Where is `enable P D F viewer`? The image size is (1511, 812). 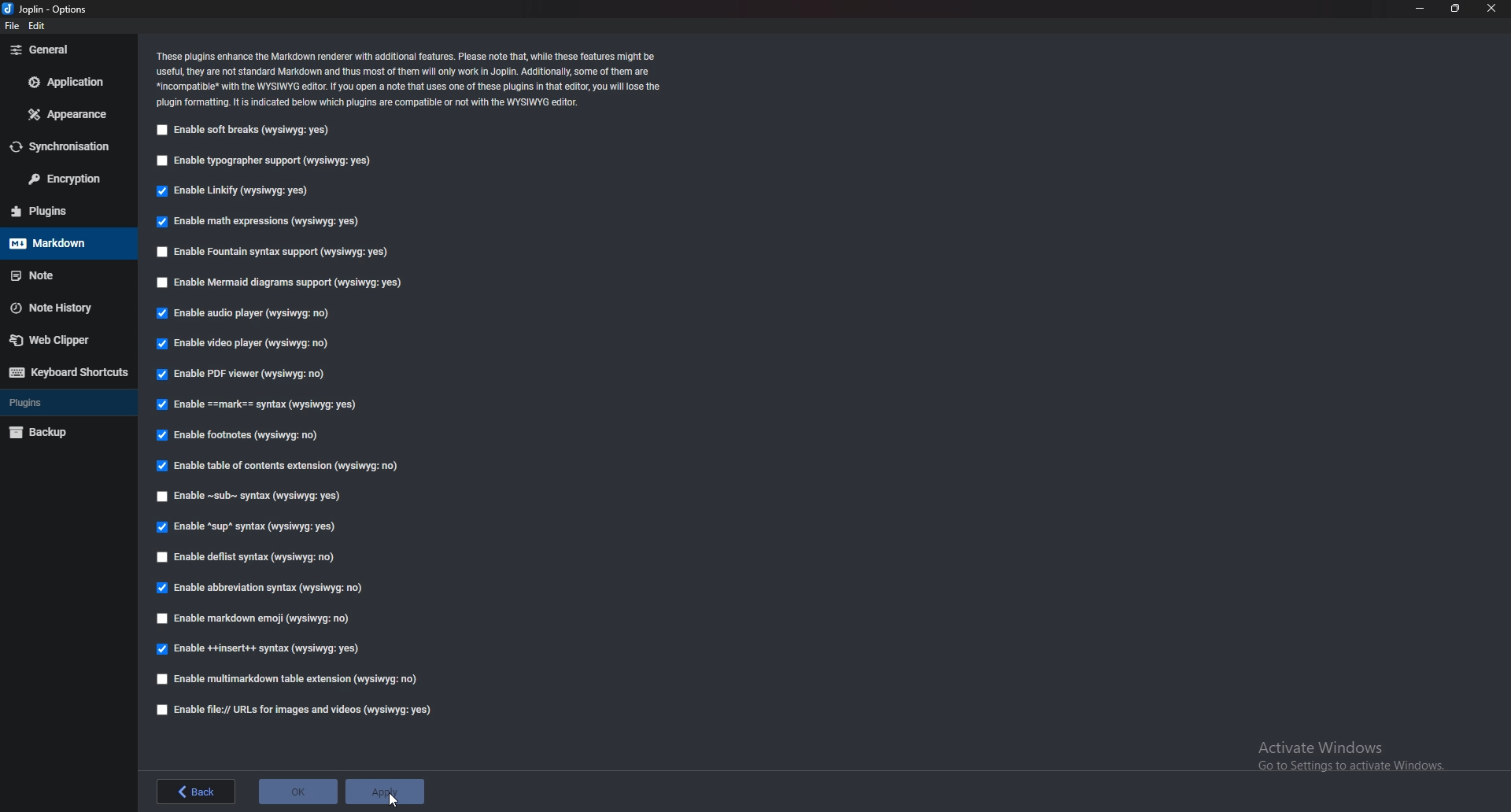
enable P D F viewer is located at coordinates (241, 372).